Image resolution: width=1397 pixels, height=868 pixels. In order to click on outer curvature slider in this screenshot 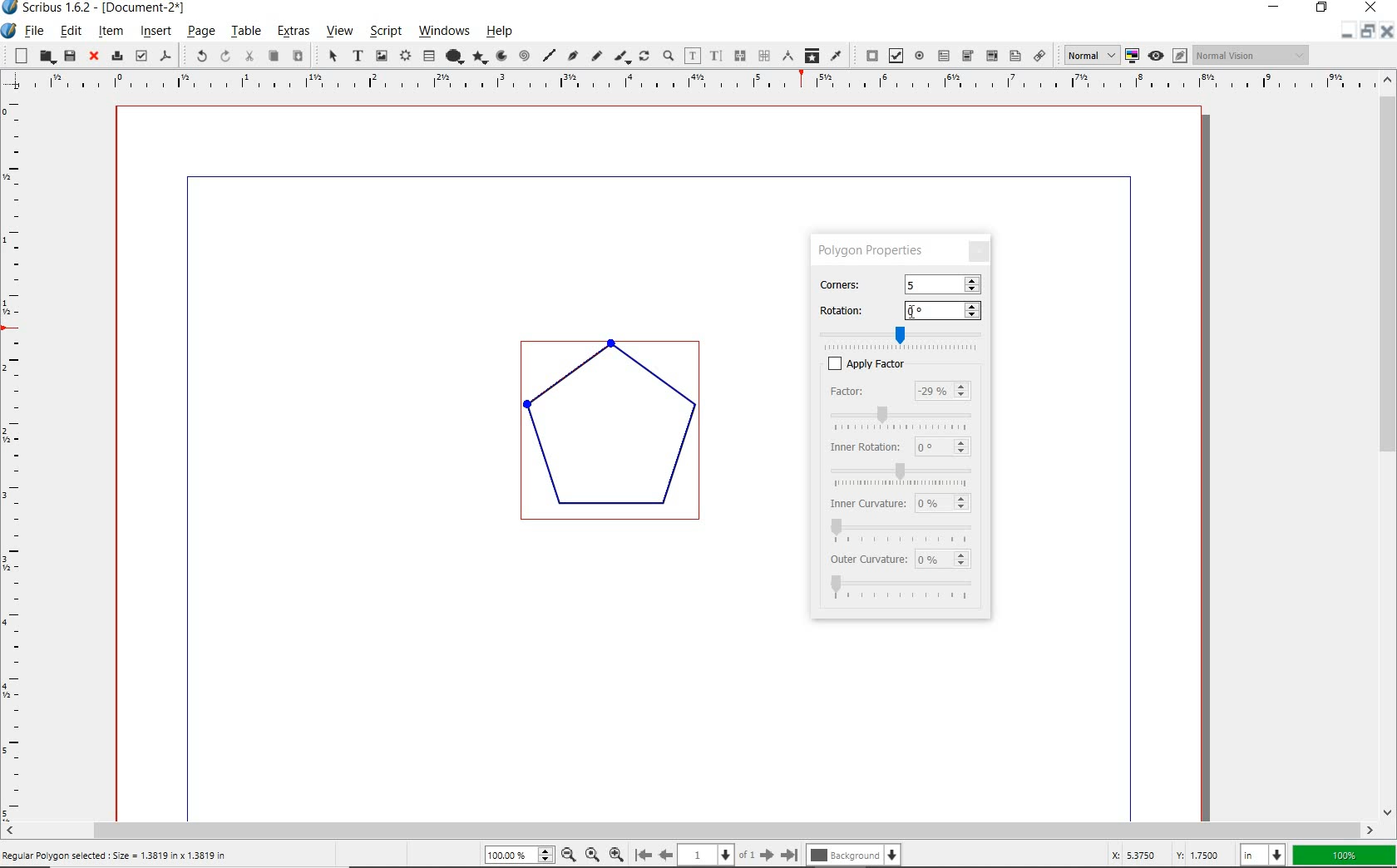, I will do `click(904, 589)`.